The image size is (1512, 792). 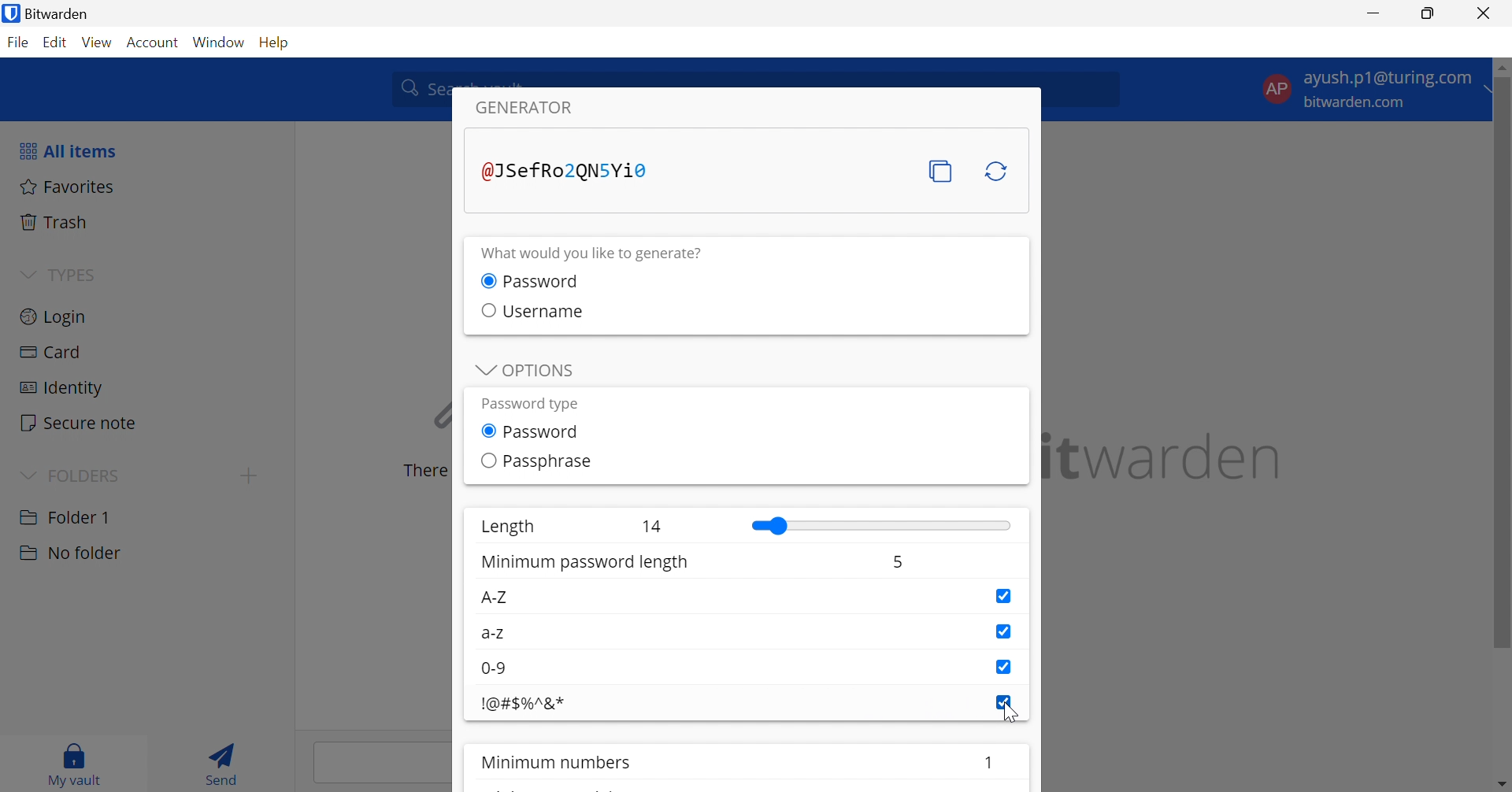 I want to click on Folder, so click(x=67, y=516).